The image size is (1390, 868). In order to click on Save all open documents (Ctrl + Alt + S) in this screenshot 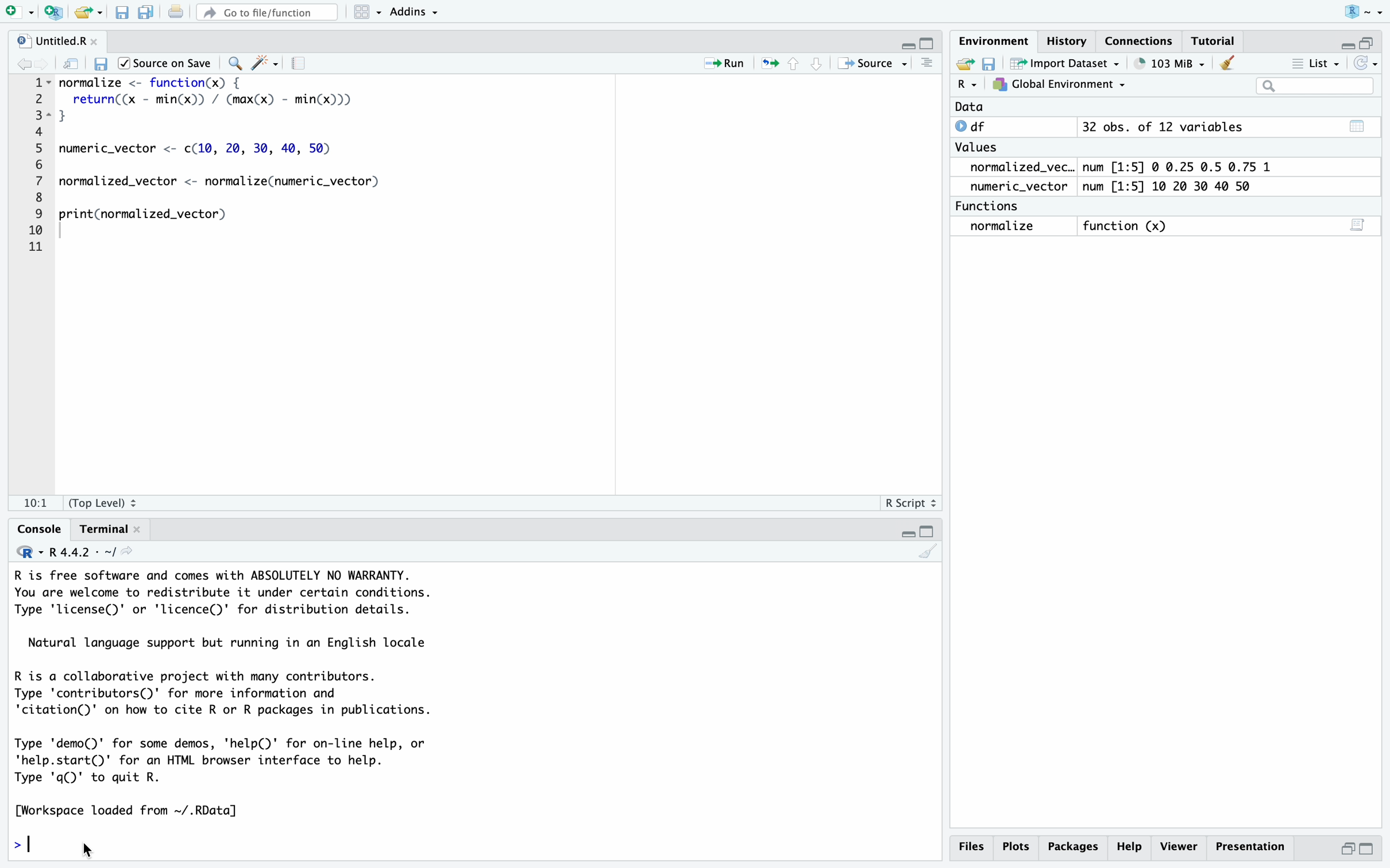, I will do `click(148, 14)`.